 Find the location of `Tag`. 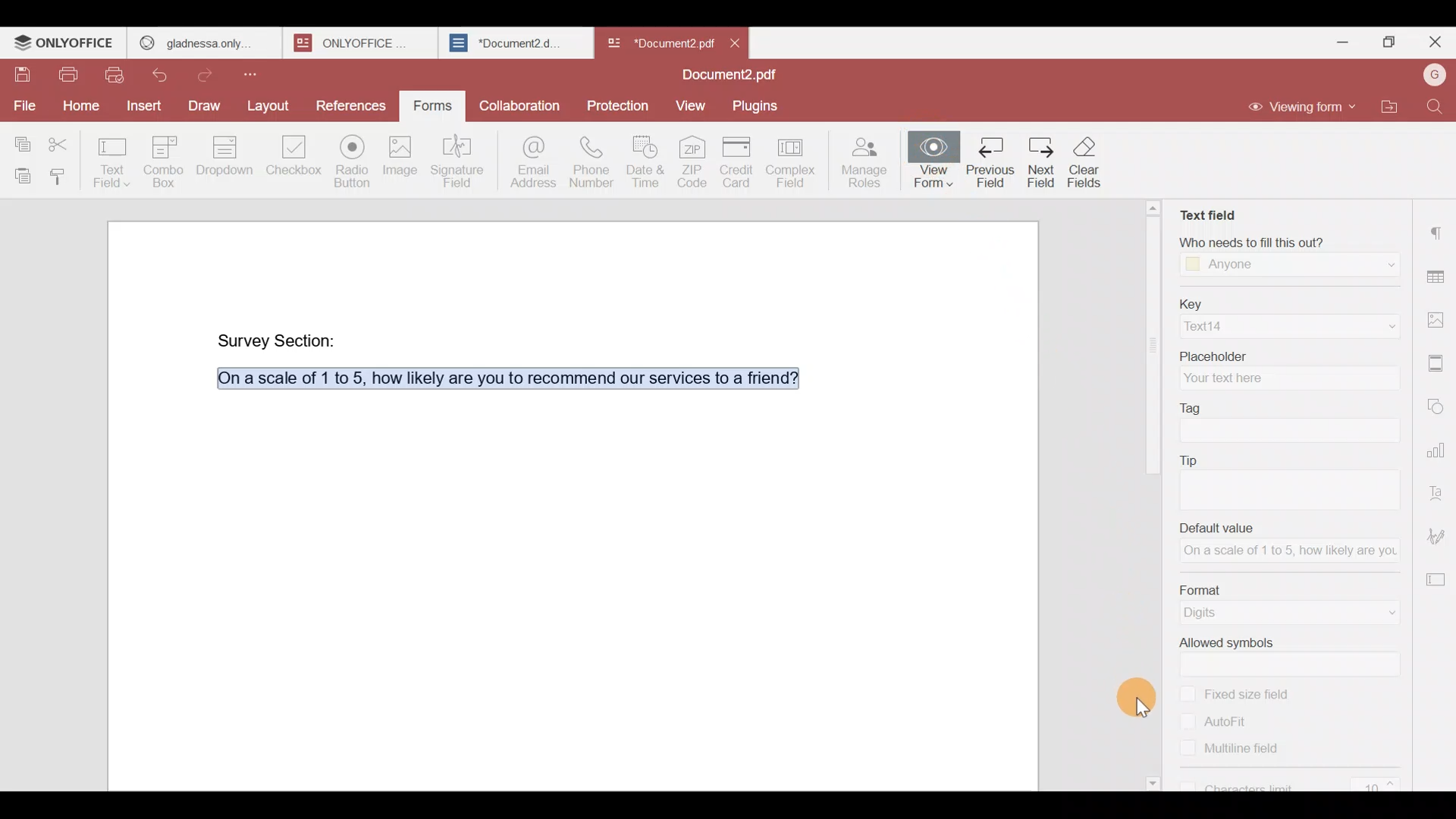

Tag is located at coordinates (1284, 405).